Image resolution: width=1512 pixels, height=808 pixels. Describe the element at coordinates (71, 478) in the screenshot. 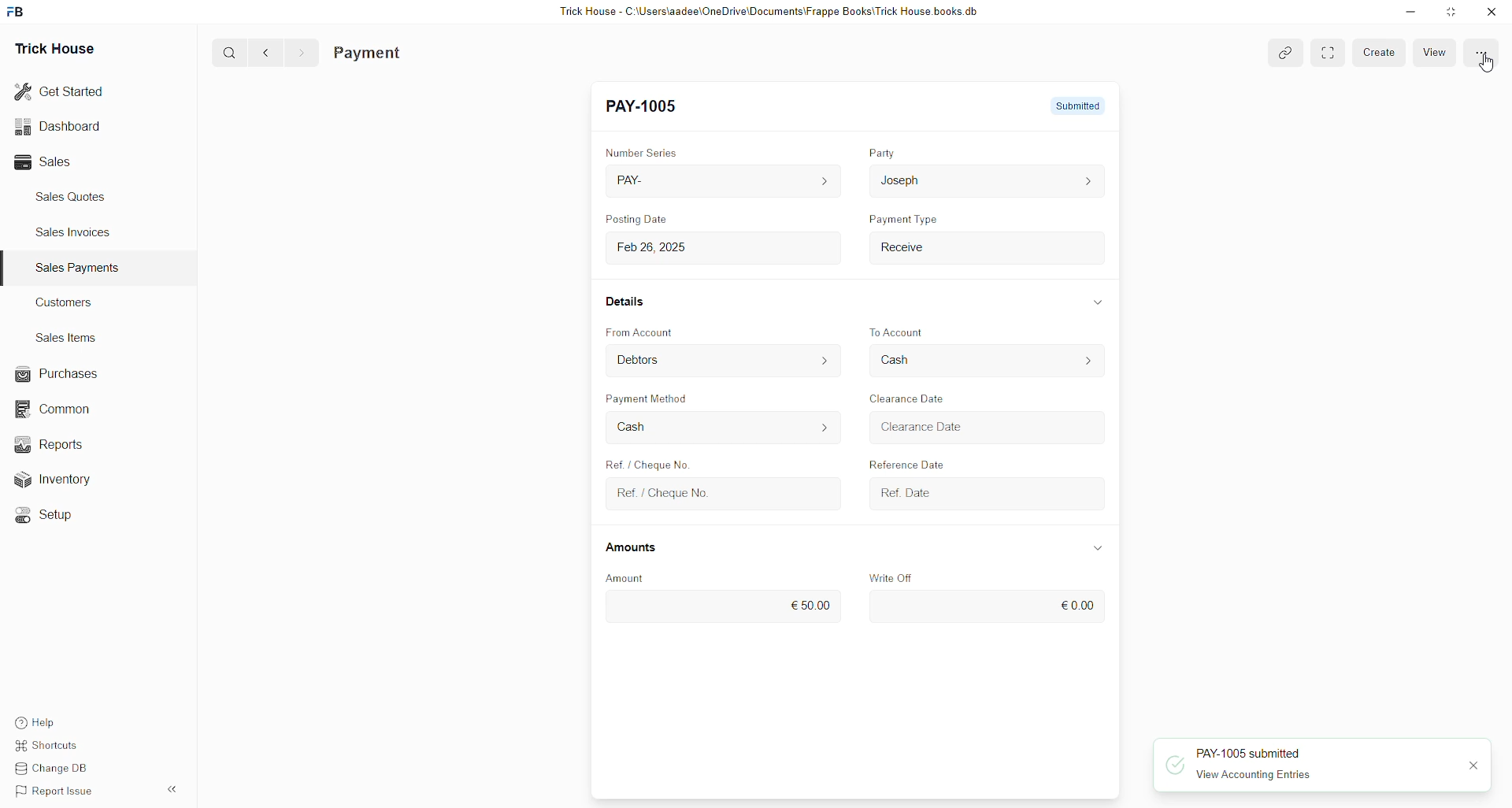

I see `Inventory` at that location.